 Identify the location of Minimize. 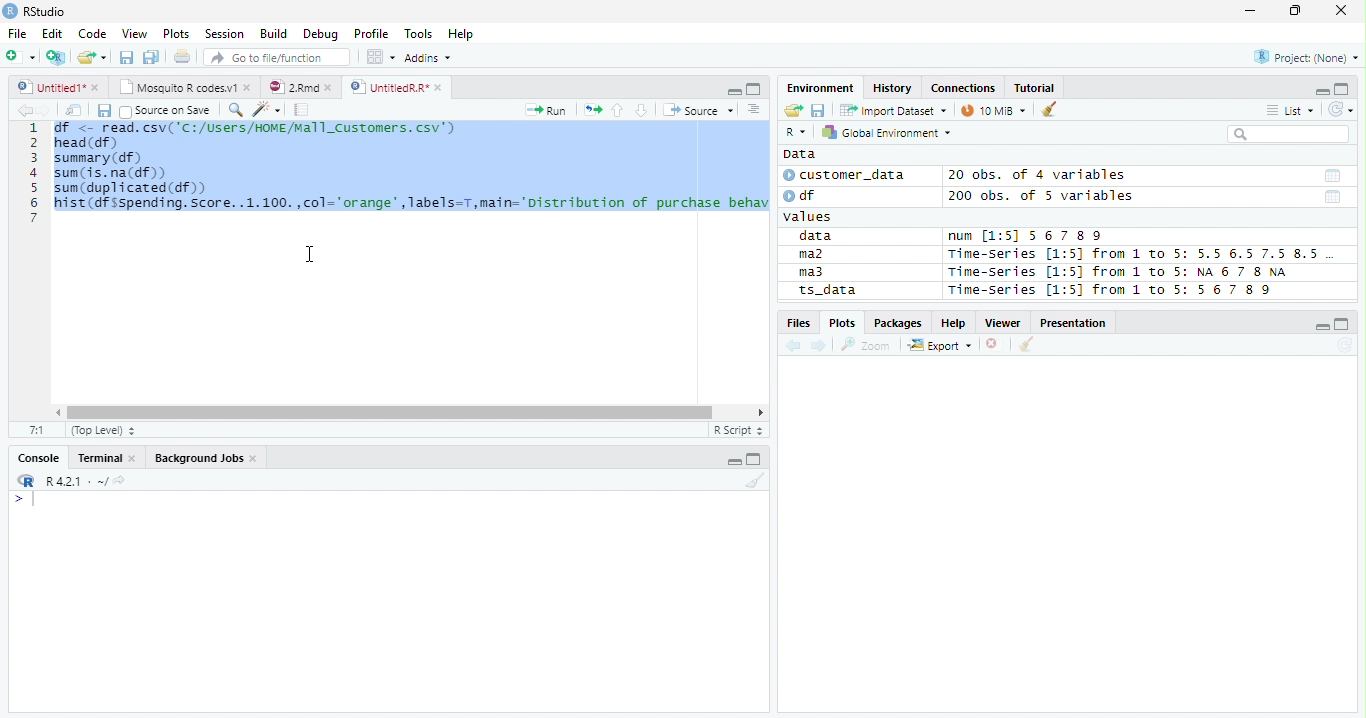
(732, 90).